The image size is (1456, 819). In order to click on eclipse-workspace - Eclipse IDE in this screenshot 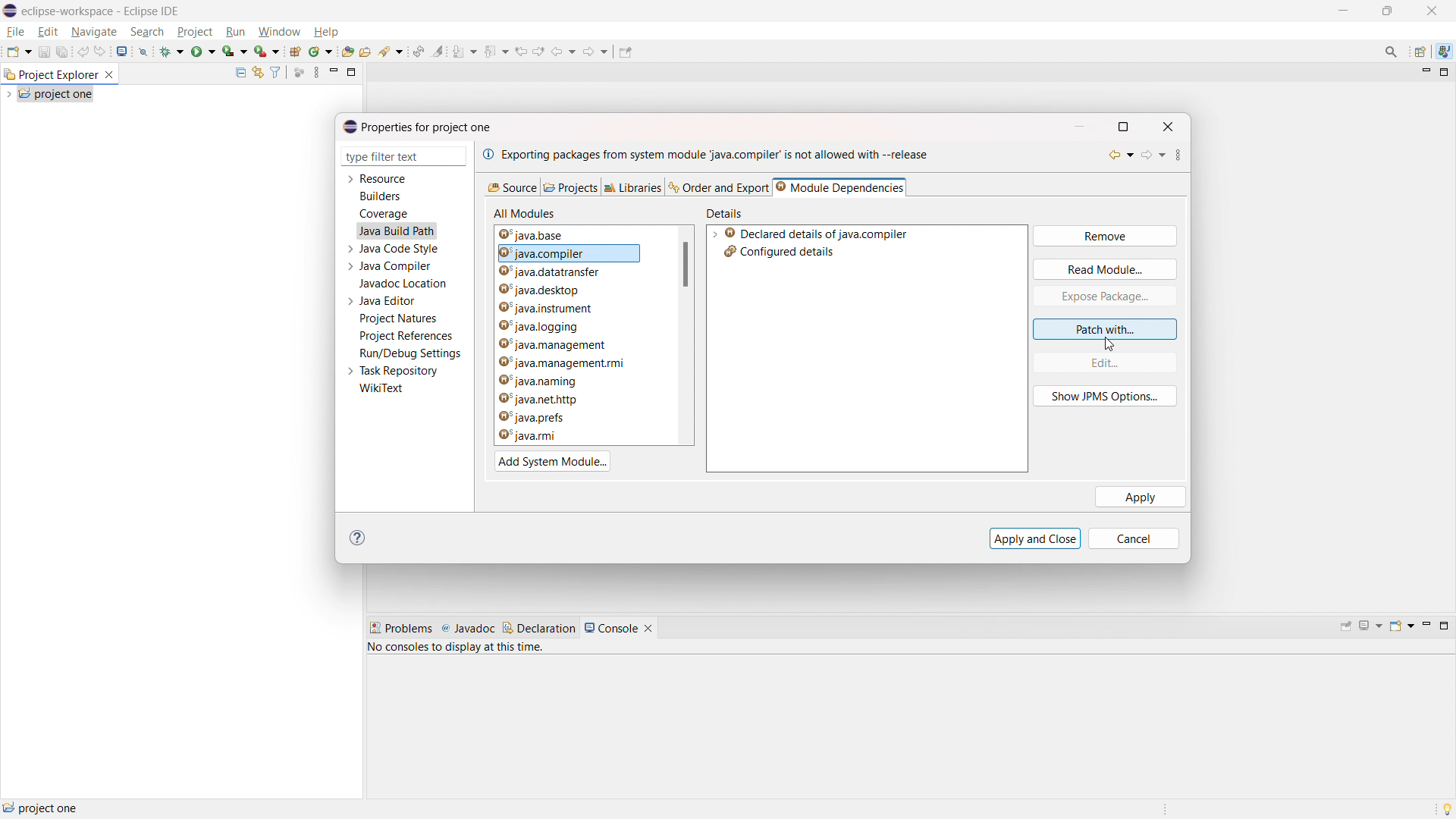, I will do `click(101, 11)`.